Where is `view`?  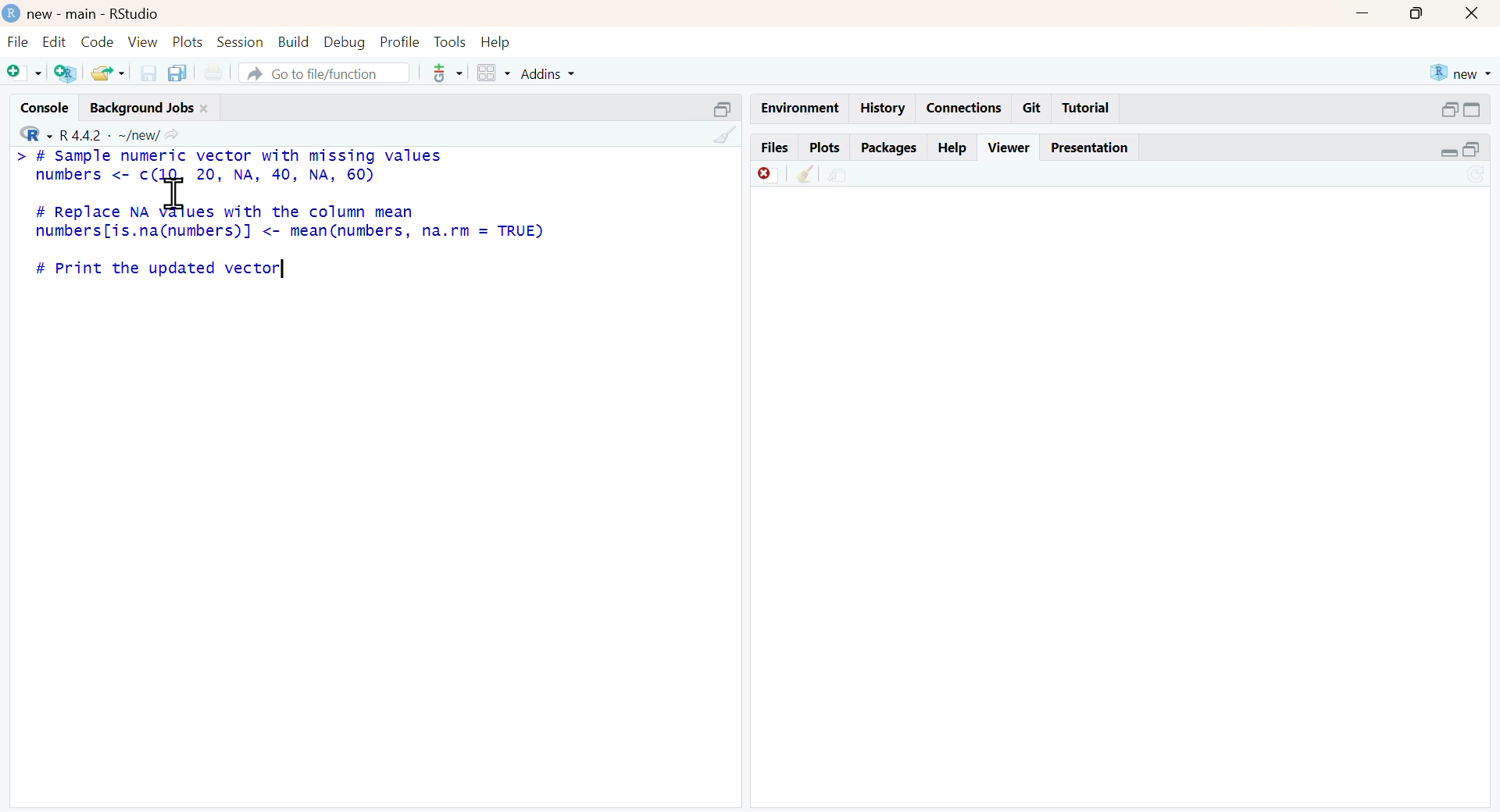 view is located at coordinates (143, 43).